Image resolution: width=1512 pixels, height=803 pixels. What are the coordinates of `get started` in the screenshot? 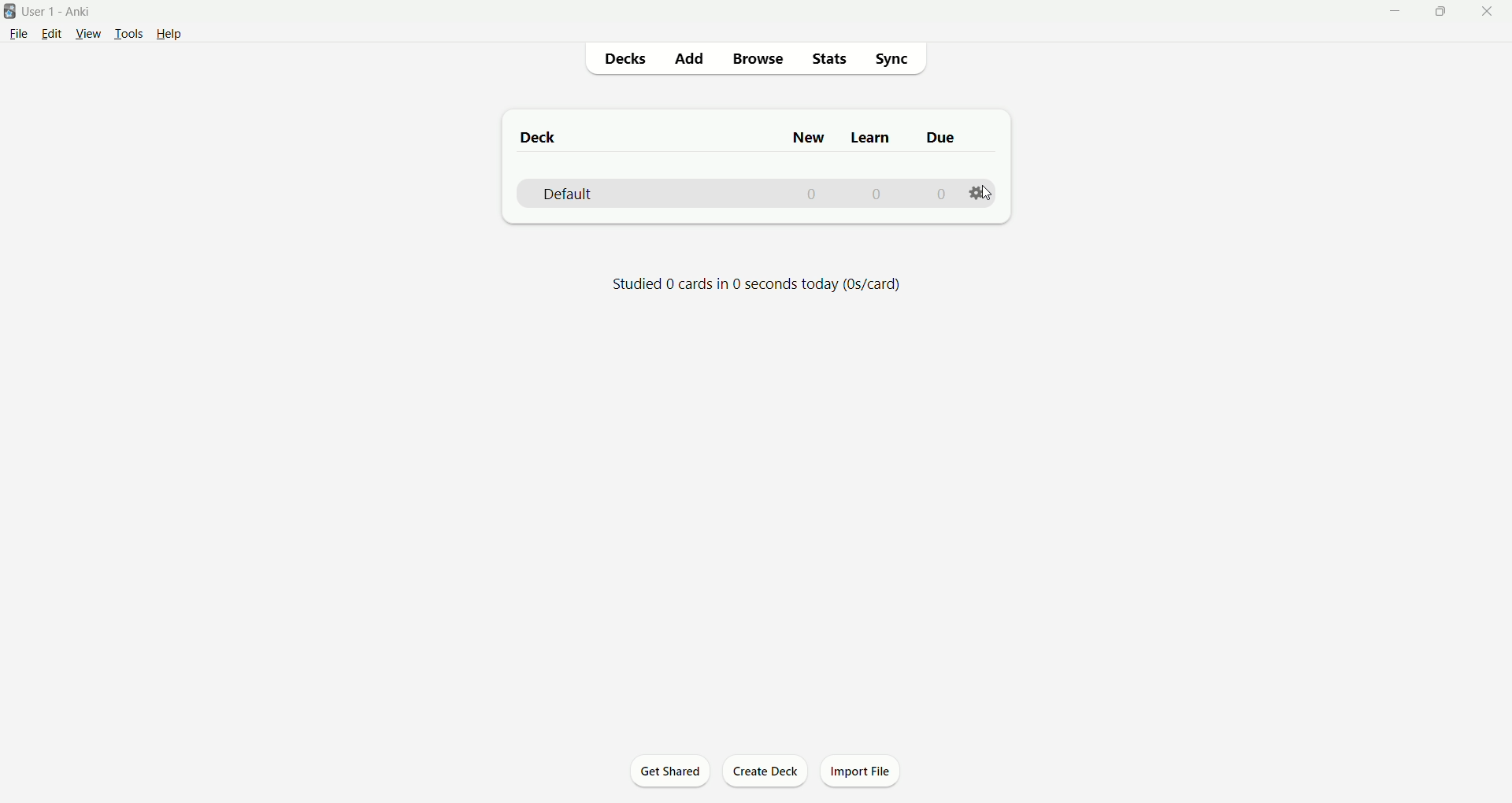 It's located at (670, 771).